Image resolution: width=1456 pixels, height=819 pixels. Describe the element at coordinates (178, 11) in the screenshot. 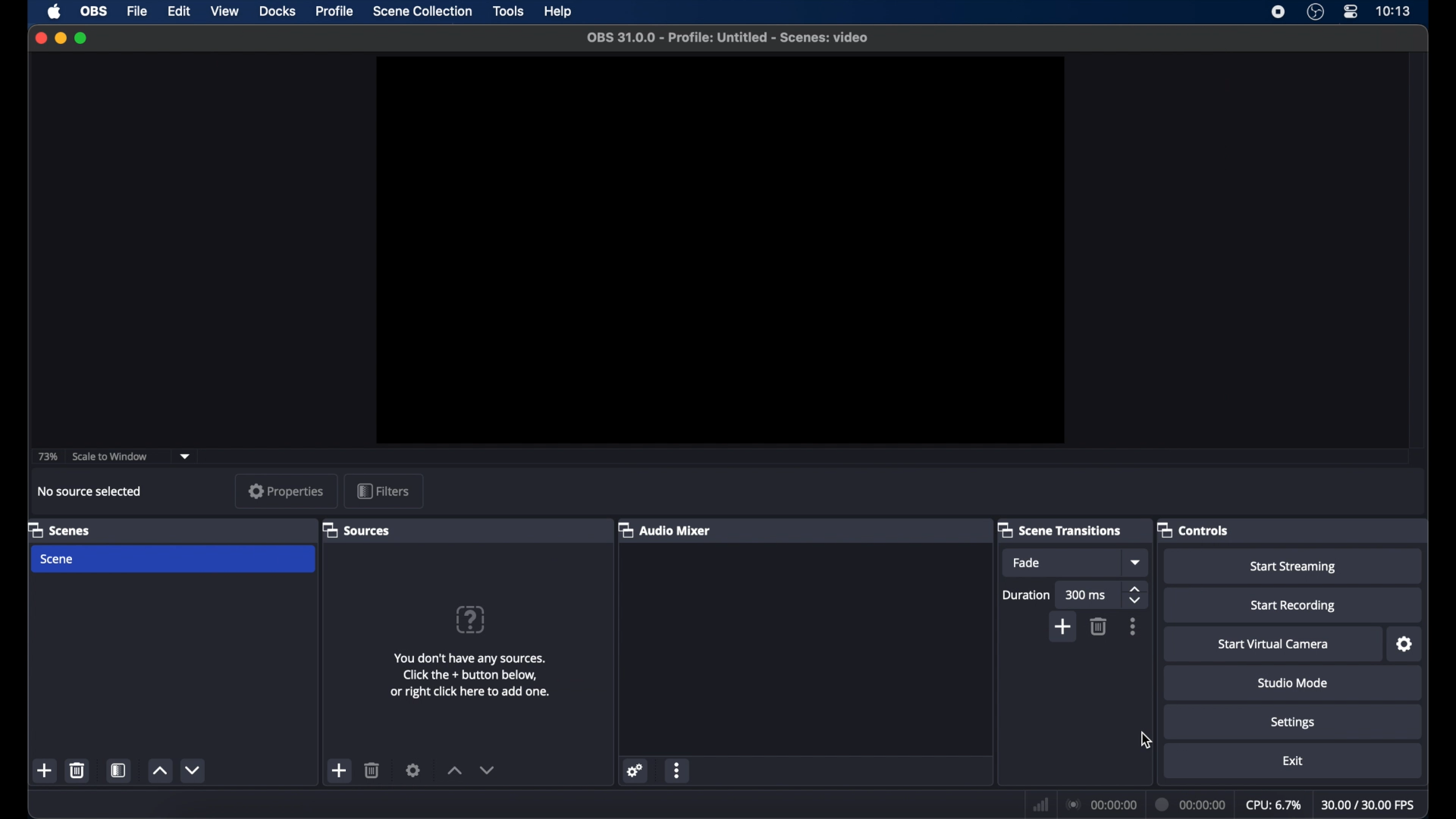

I see `edit` at that location.